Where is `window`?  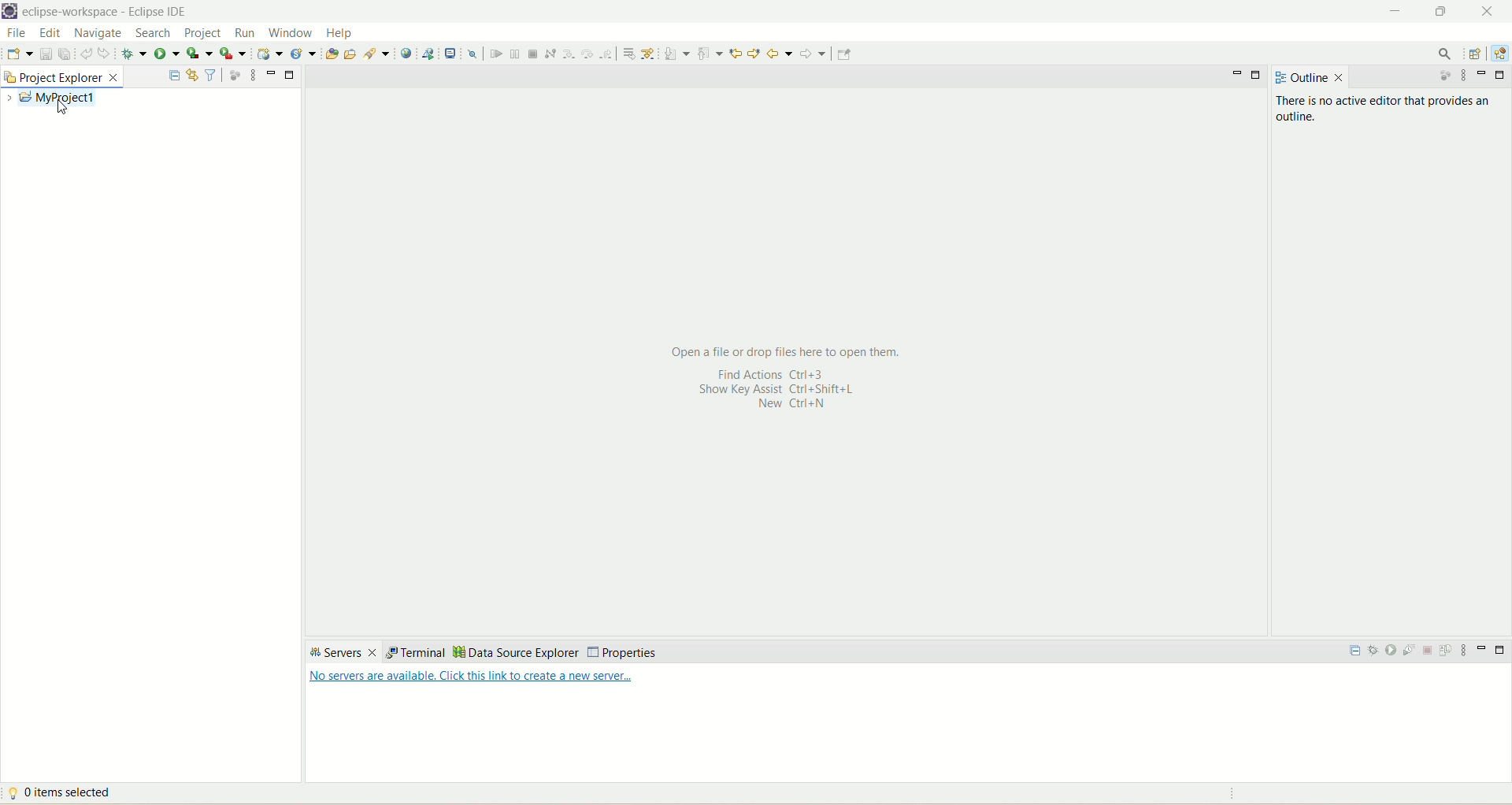
window is located at coordinates (292, 32).